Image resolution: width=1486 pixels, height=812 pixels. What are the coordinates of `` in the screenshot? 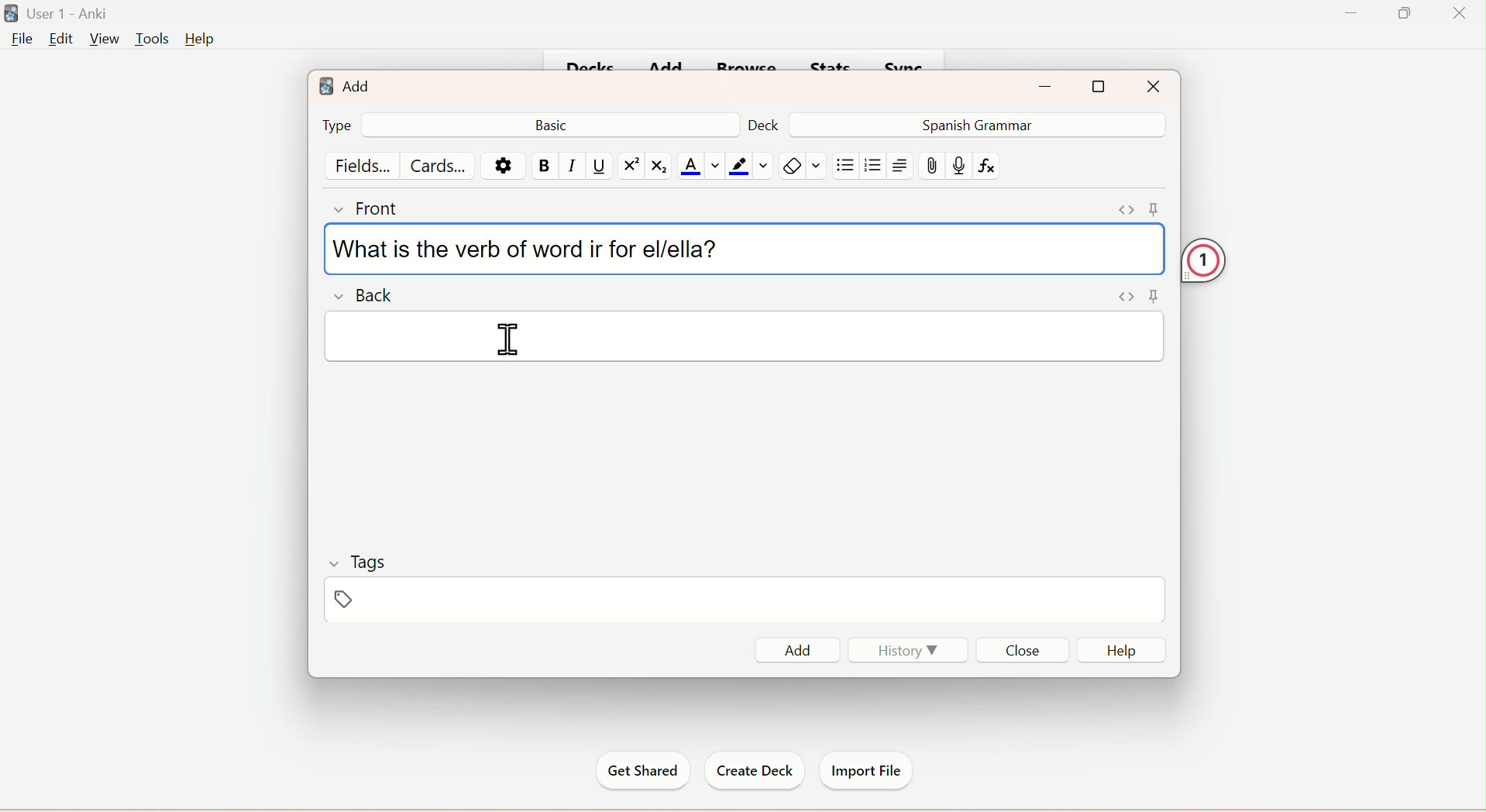 It's located at (22, 43).